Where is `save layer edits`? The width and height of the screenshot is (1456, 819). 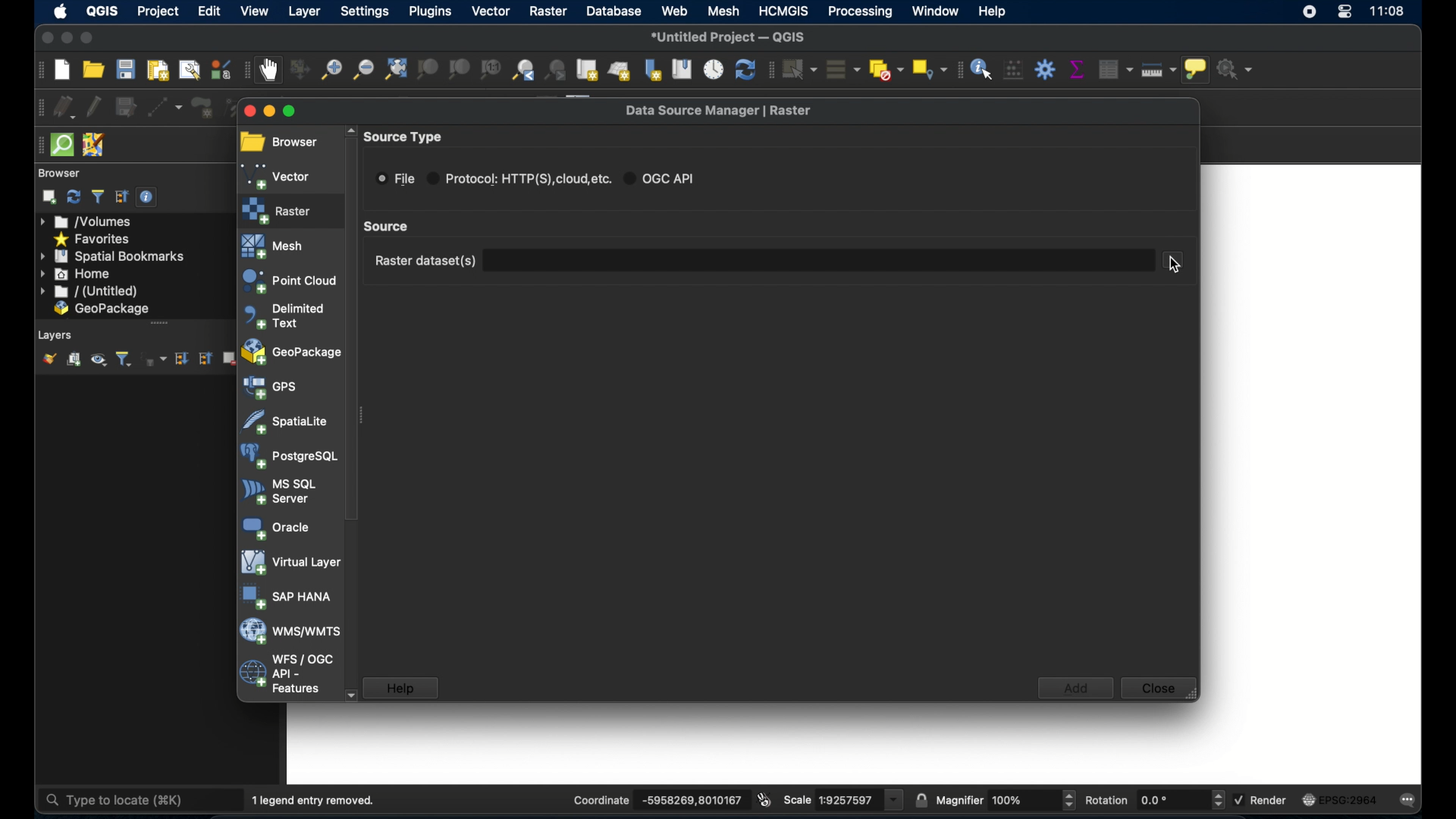 save layer edits is located at coordinates (125, 105).